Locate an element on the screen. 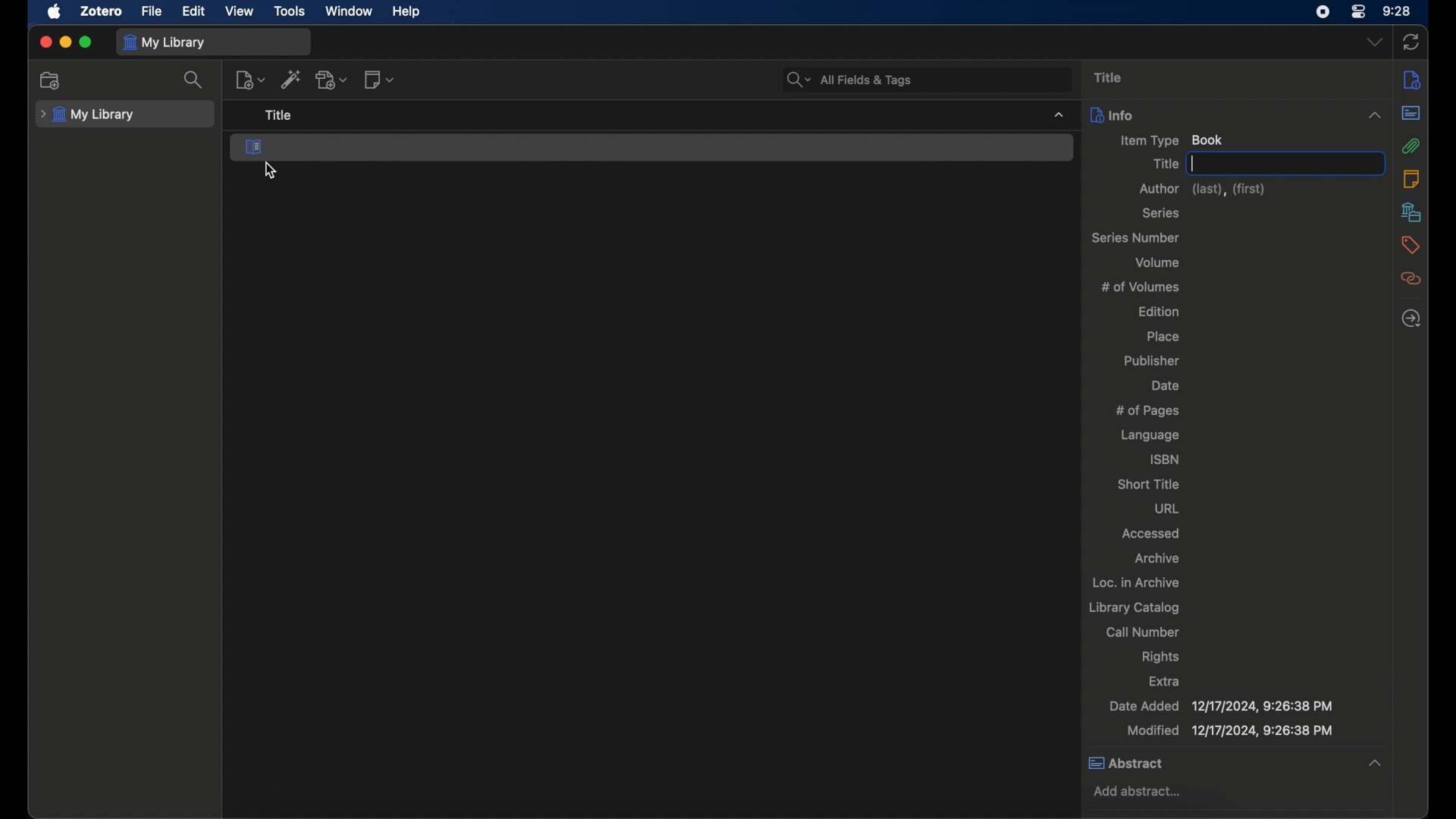 This screenshot has height=819, width=1456. window is located at coordinates (350, 11).